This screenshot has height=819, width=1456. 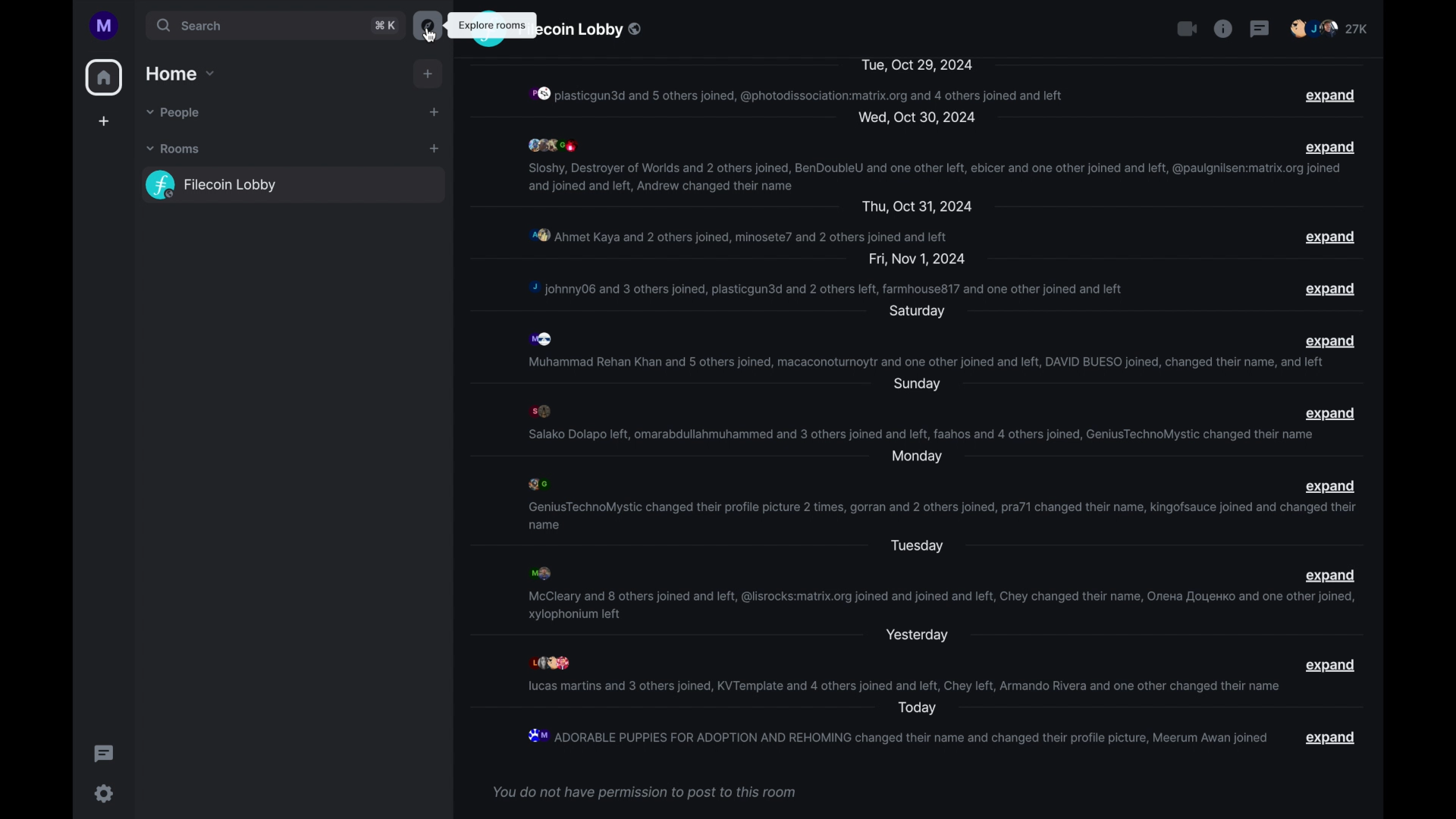 I want to click on Muhammad Rehan Khan and 5 others joined, macaconoturnoytr and one other joined and left, DAVID BUESO joined, changed their name, and left, so click(x=927, y=363).